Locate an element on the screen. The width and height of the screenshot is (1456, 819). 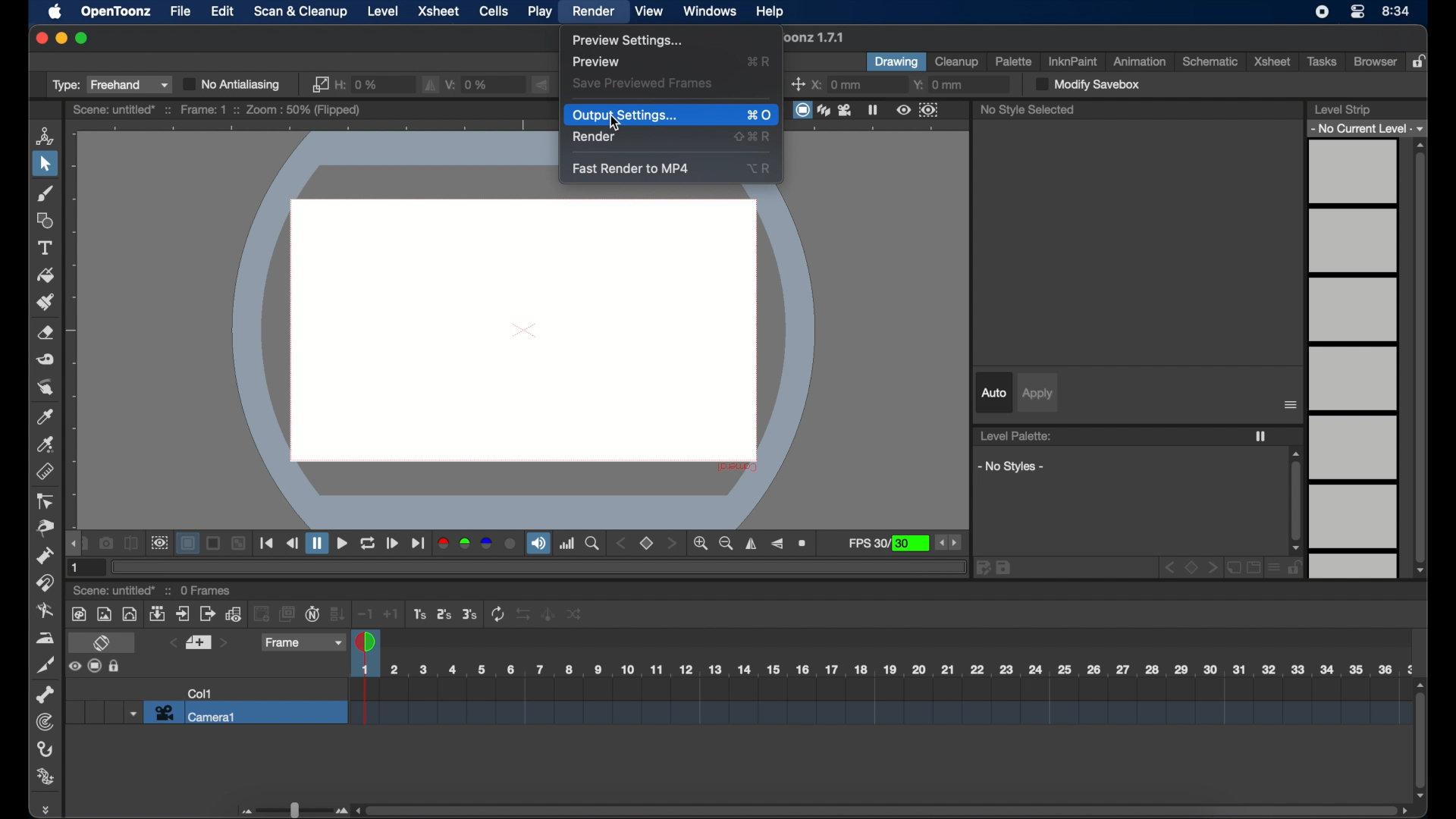
minimize is located at coordinates (60, 38).